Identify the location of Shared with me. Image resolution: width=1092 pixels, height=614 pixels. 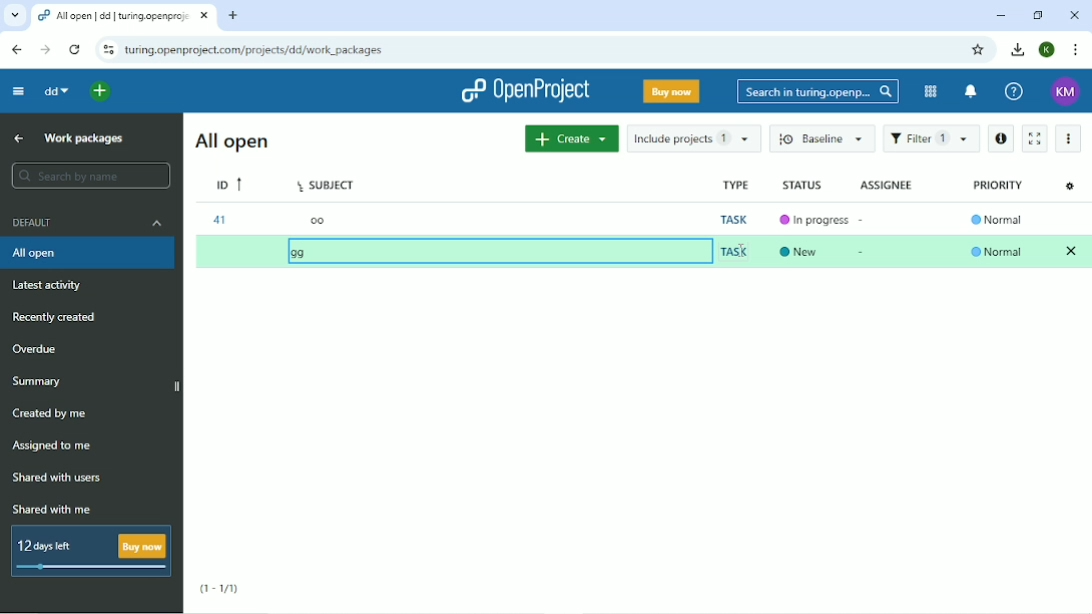
(51, 510).